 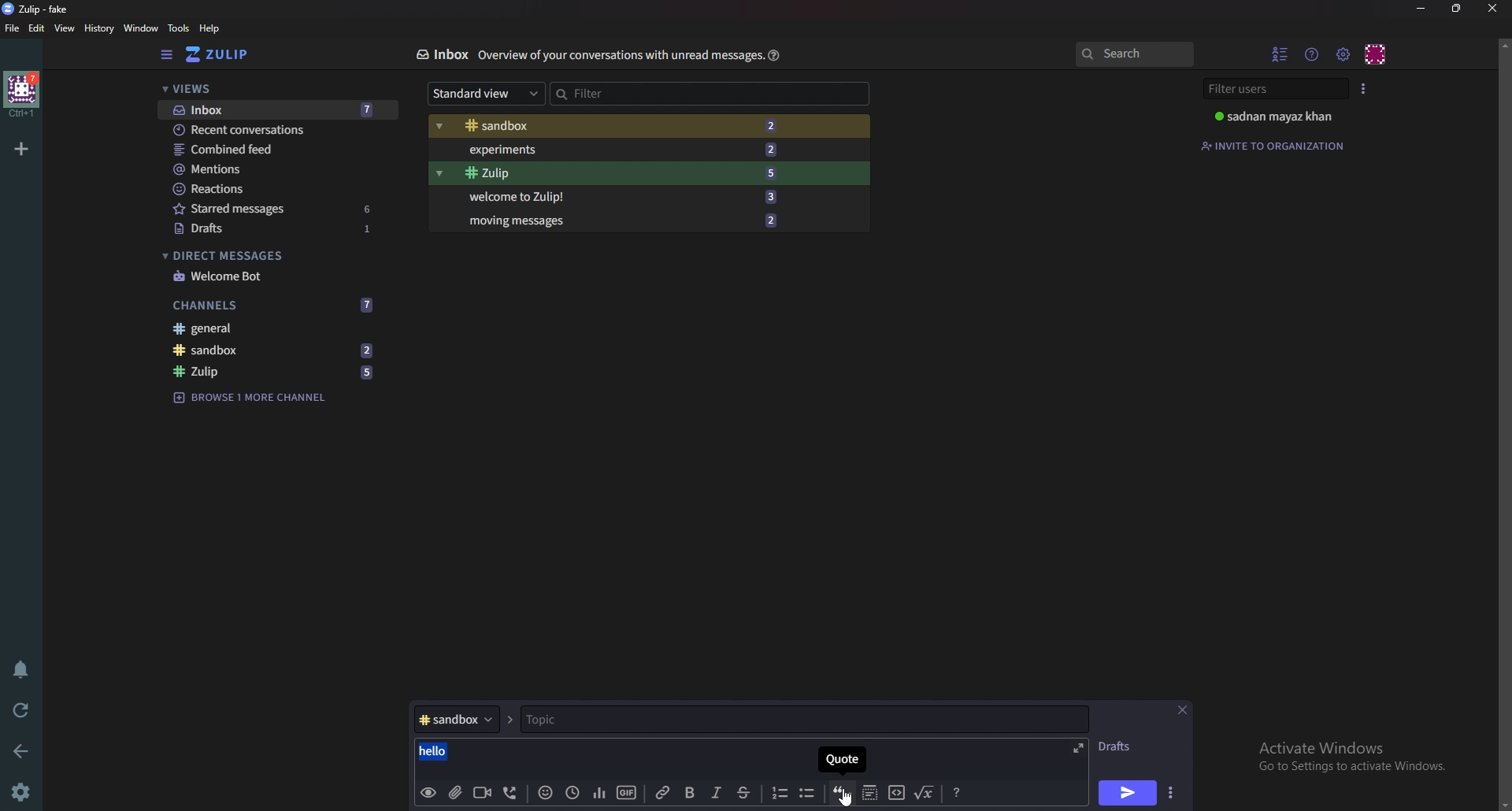 What do you see at coordinates (226, 55) in the screenshot?
I see `zulip` at bounding box center [226, 55].